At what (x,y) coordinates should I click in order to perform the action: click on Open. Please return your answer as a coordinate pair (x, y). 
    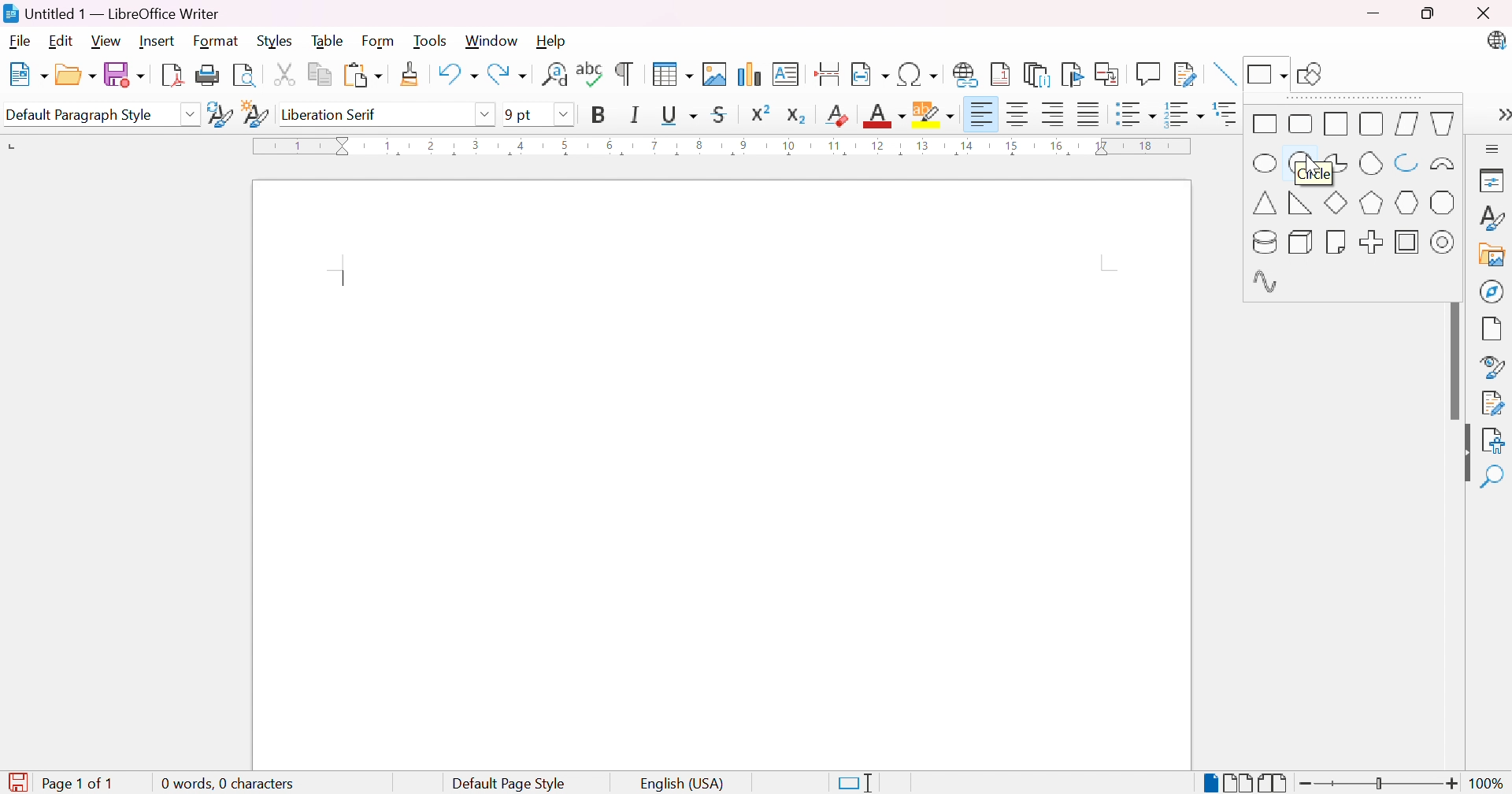
    Looking at the image, I should click on (76, 75).